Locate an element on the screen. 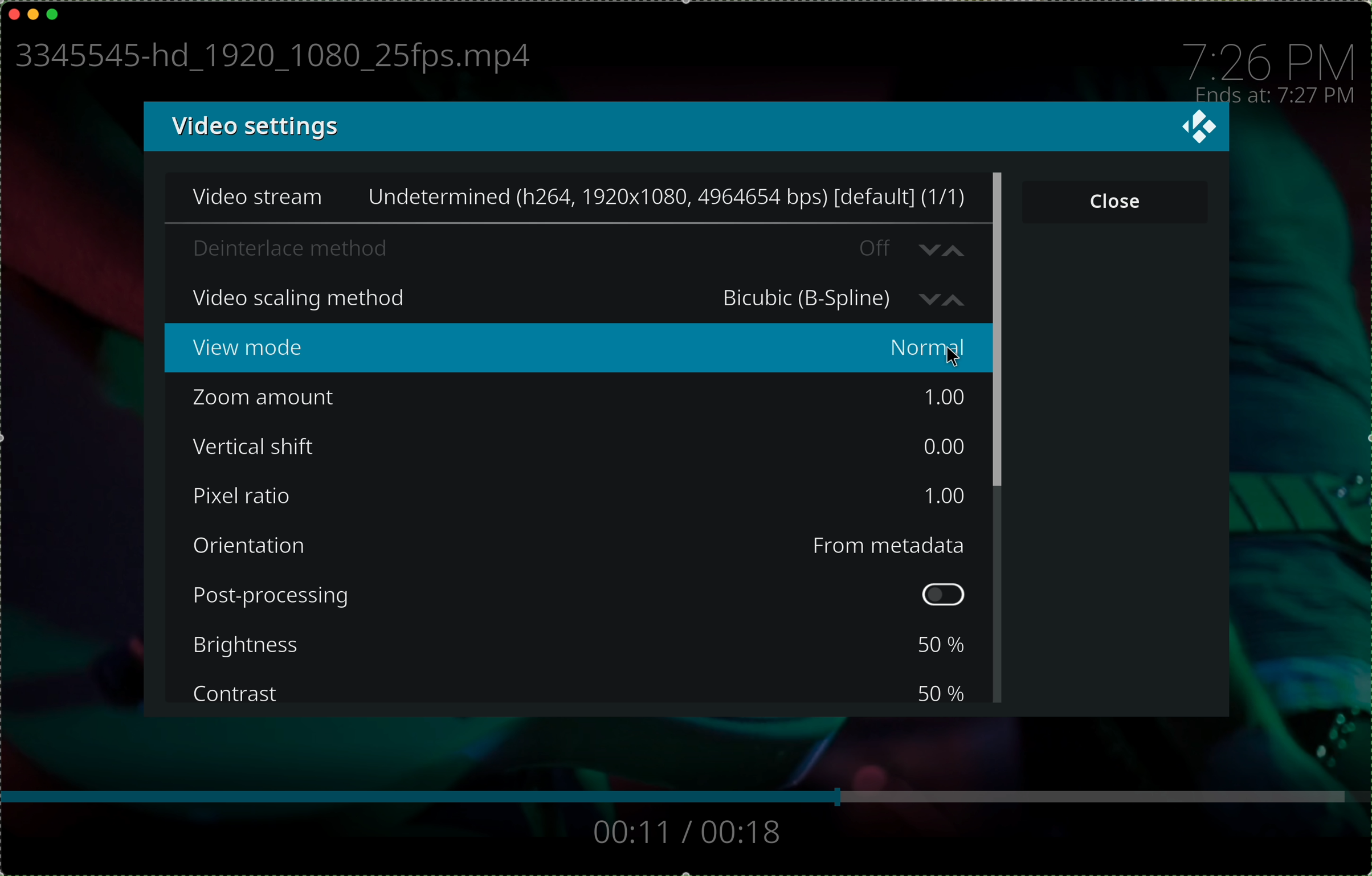 This screenshot has height=876, width=1372. vertical shift is located at coordinates (256, 448).